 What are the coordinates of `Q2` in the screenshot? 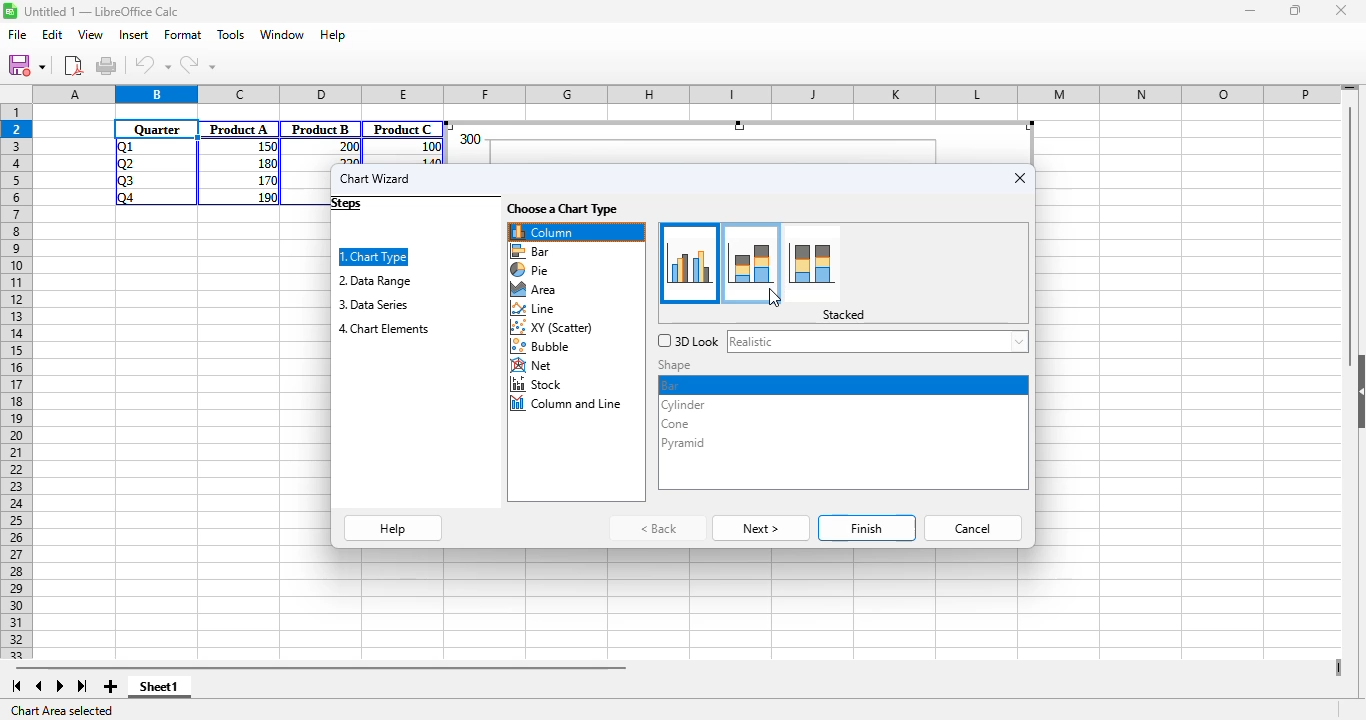 It's located at (126, 164).